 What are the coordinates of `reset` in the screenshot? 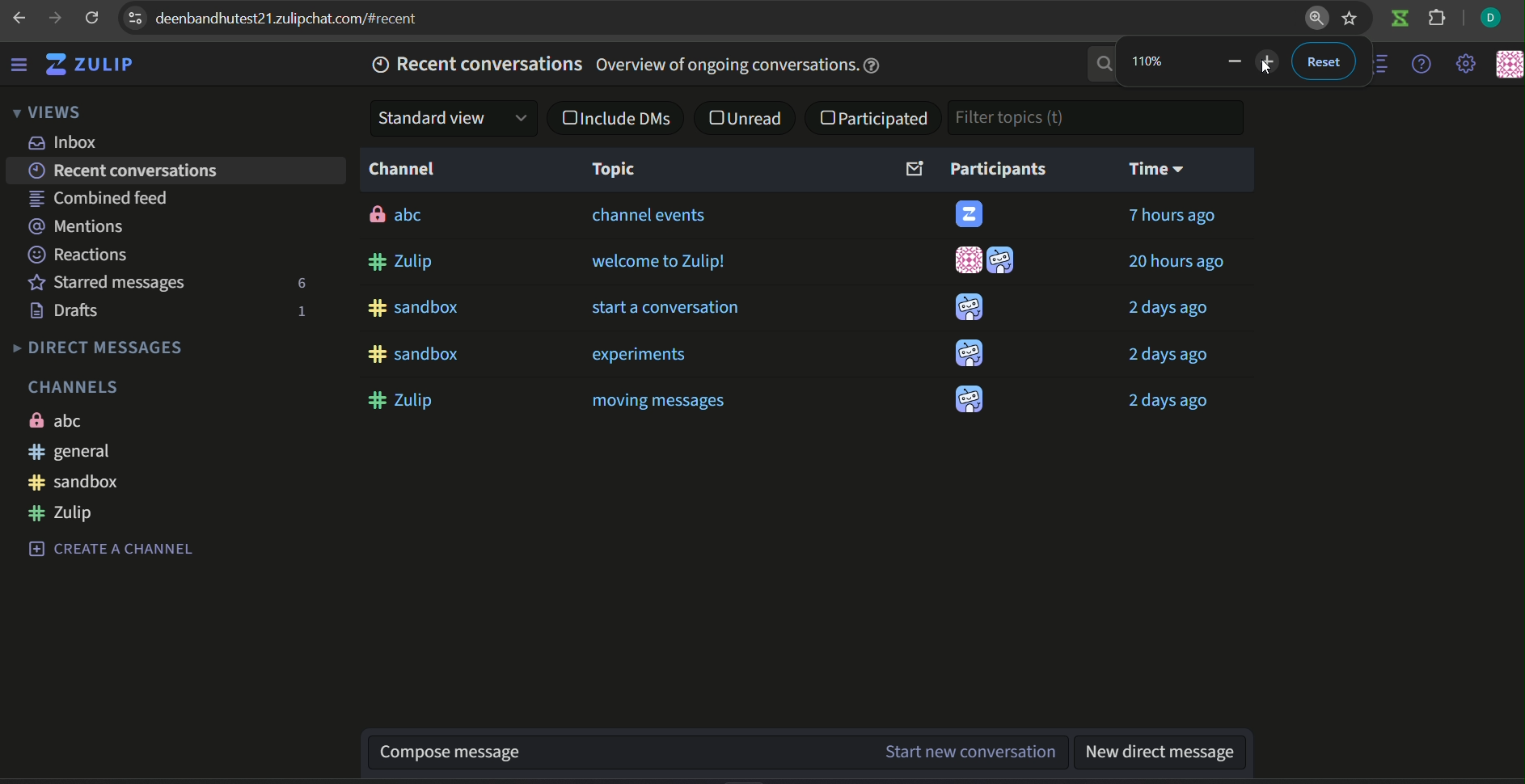 It's located at (1323, 61).